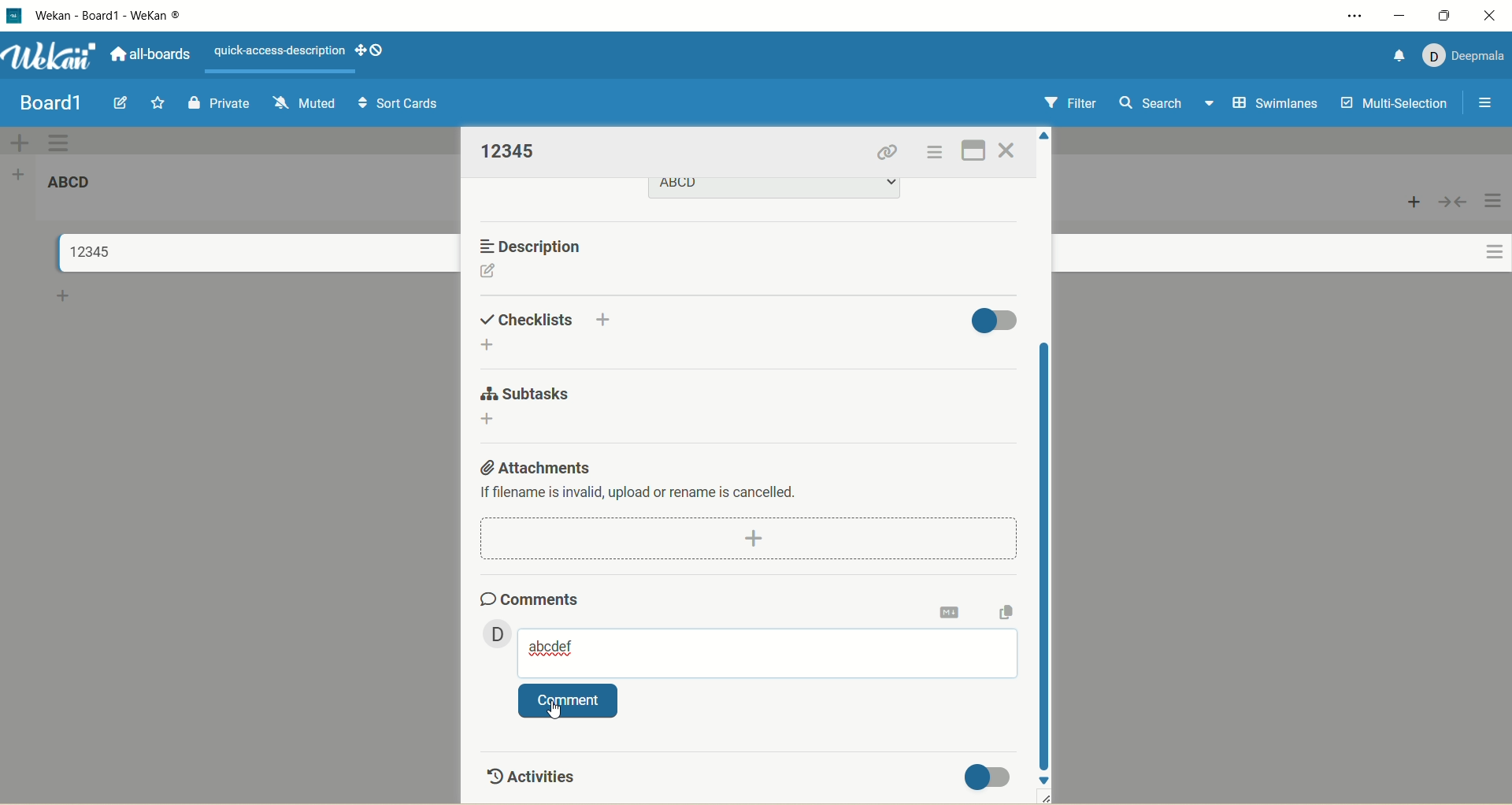  I want to click on description, so click(536, 246).